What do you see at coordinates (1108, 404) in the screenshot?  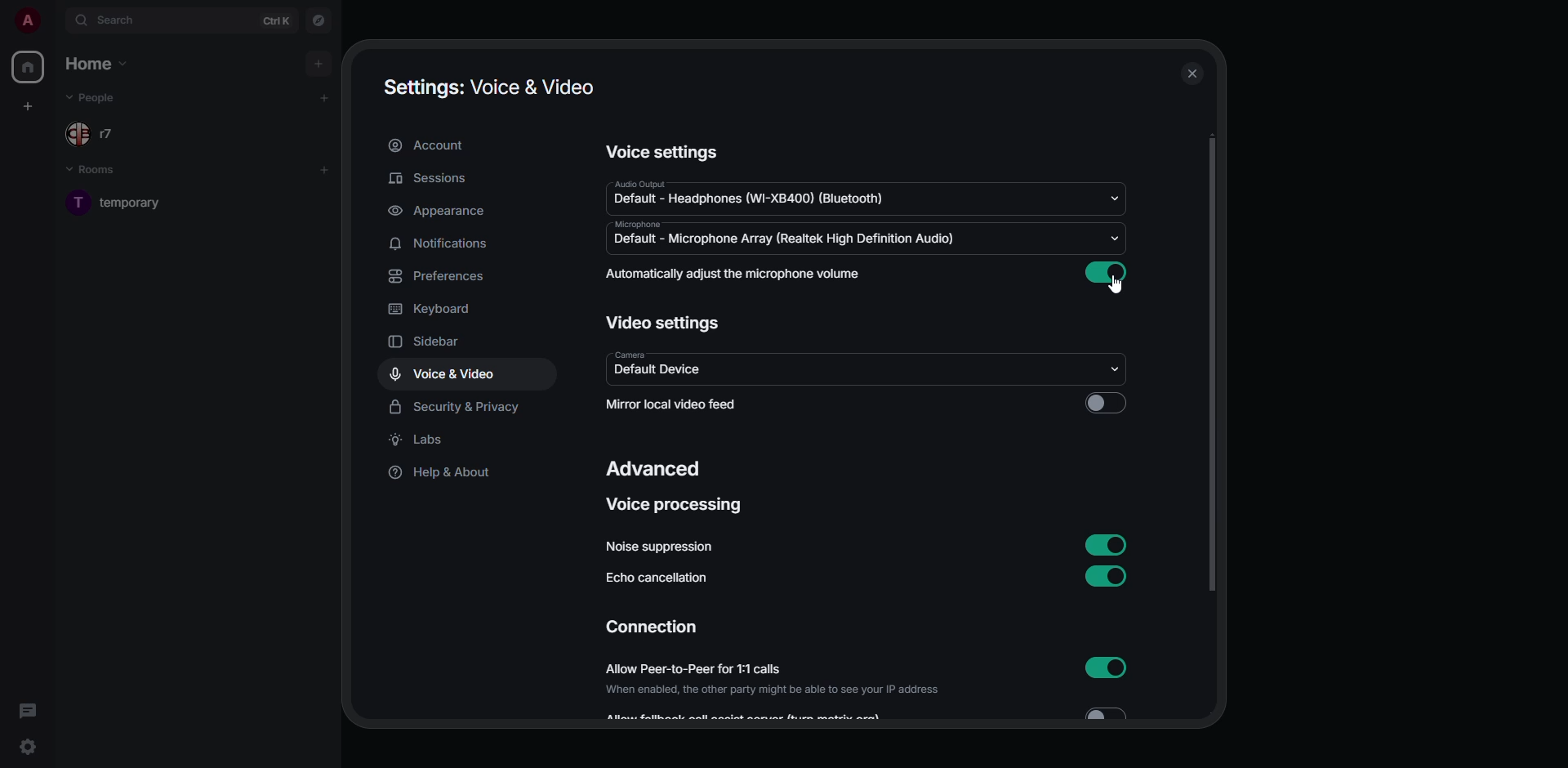 I see `click to enable` at bounding box center [1108, 404].